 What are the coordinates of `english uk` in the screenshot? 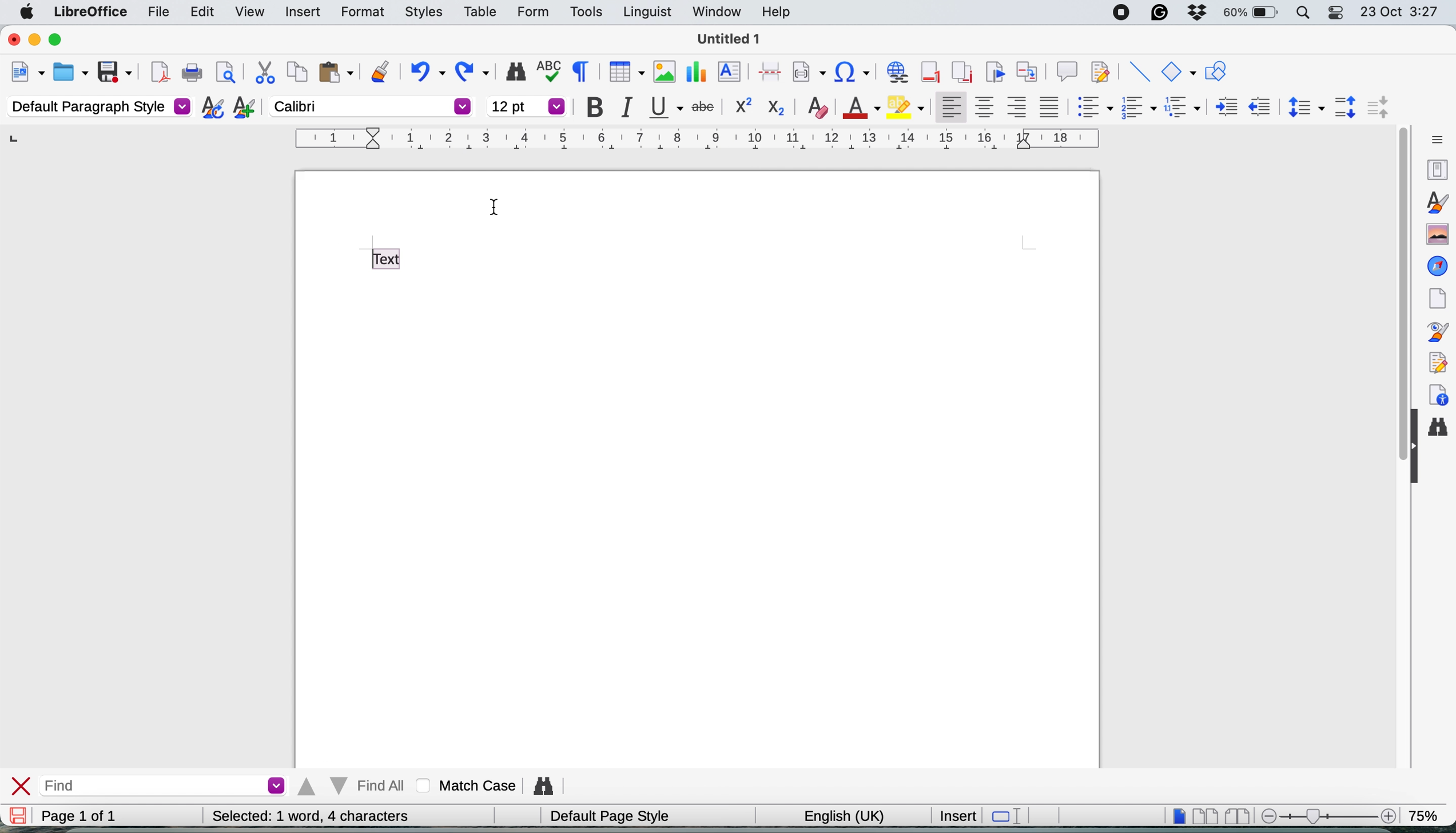 It's located at (837, 815).